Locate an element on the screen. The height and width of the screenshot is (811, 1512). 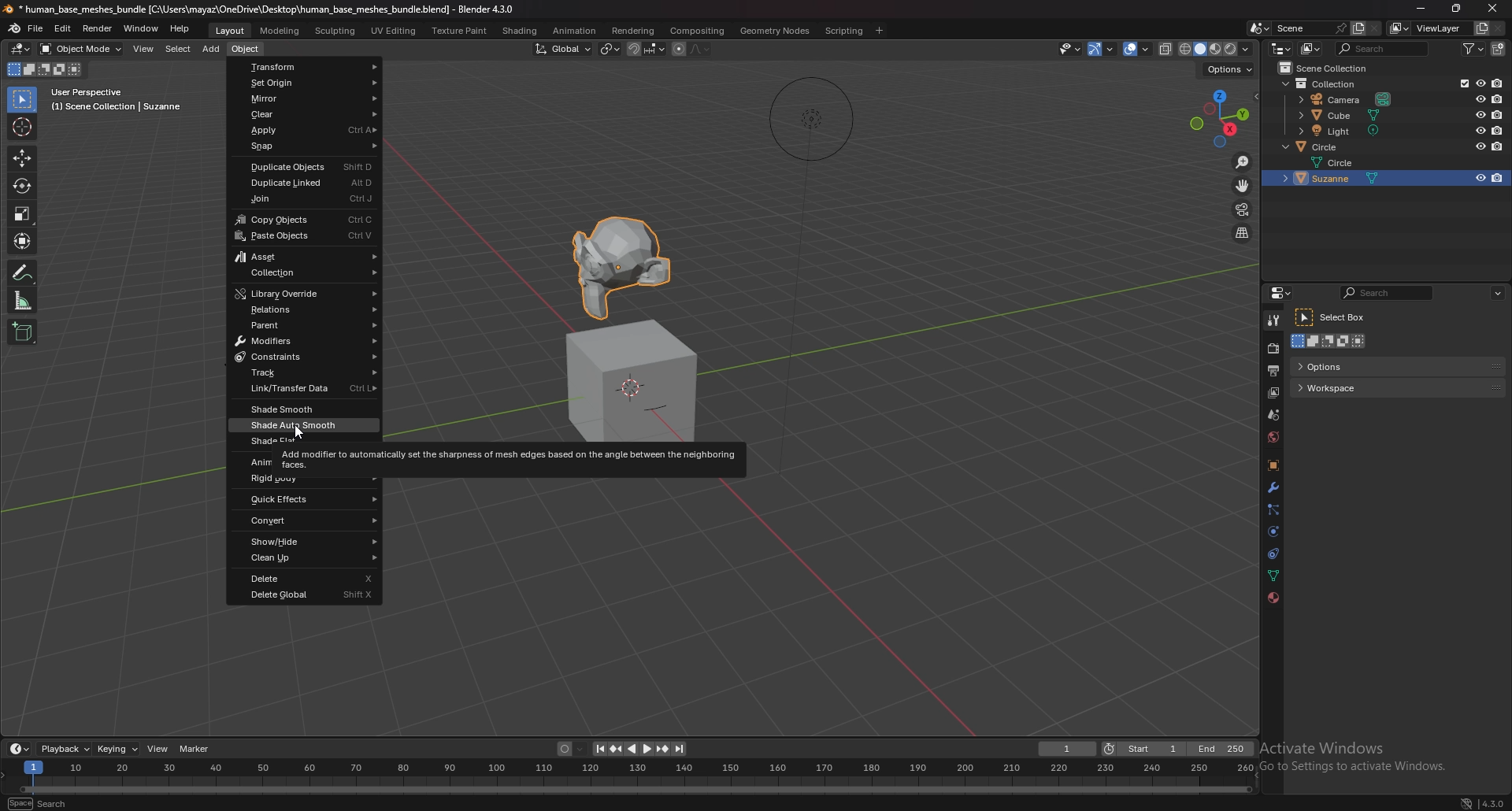
geomtry nodes is located at coordinates (774, 31).